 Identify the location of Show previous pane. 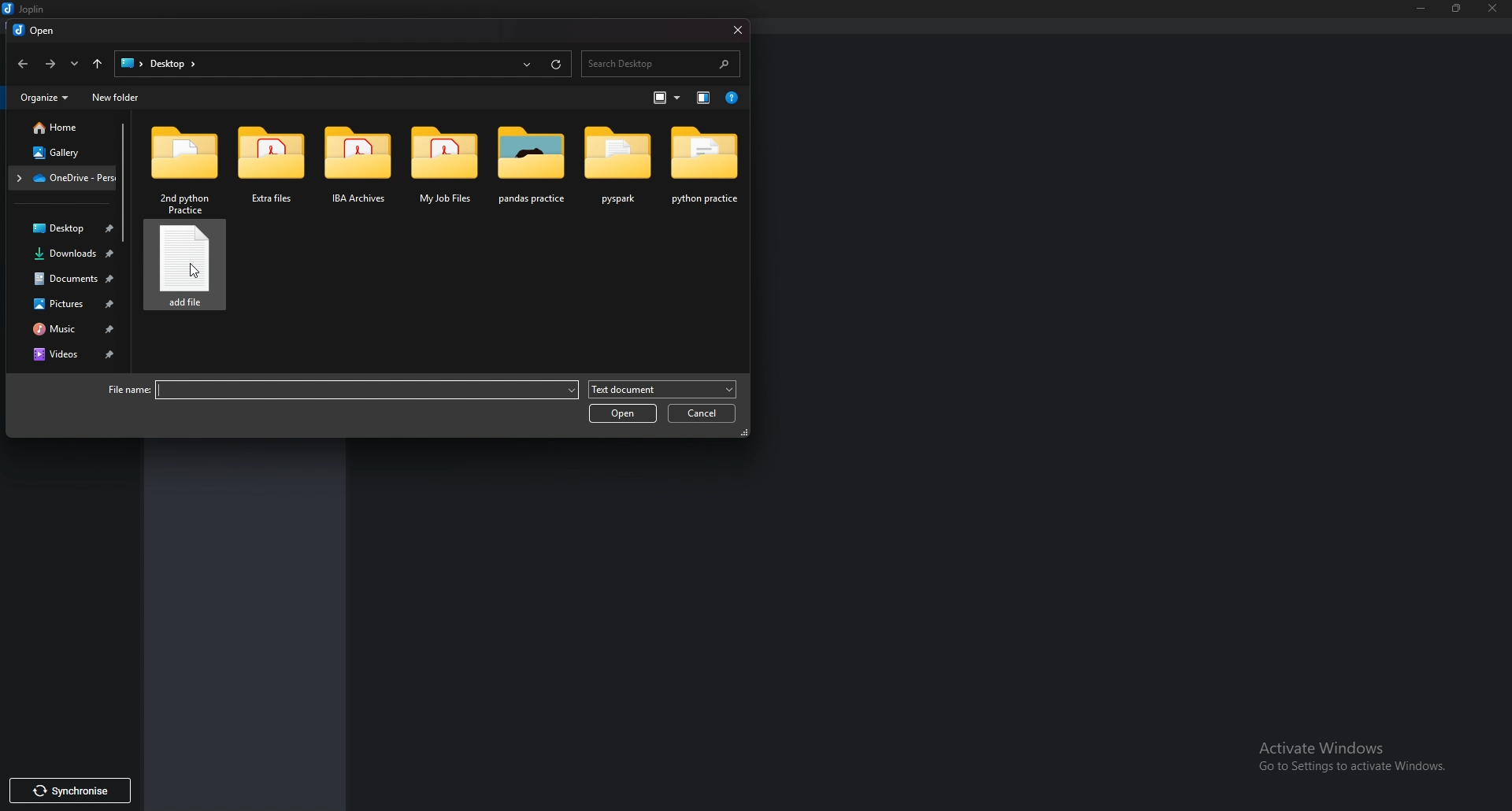
(706, 98).